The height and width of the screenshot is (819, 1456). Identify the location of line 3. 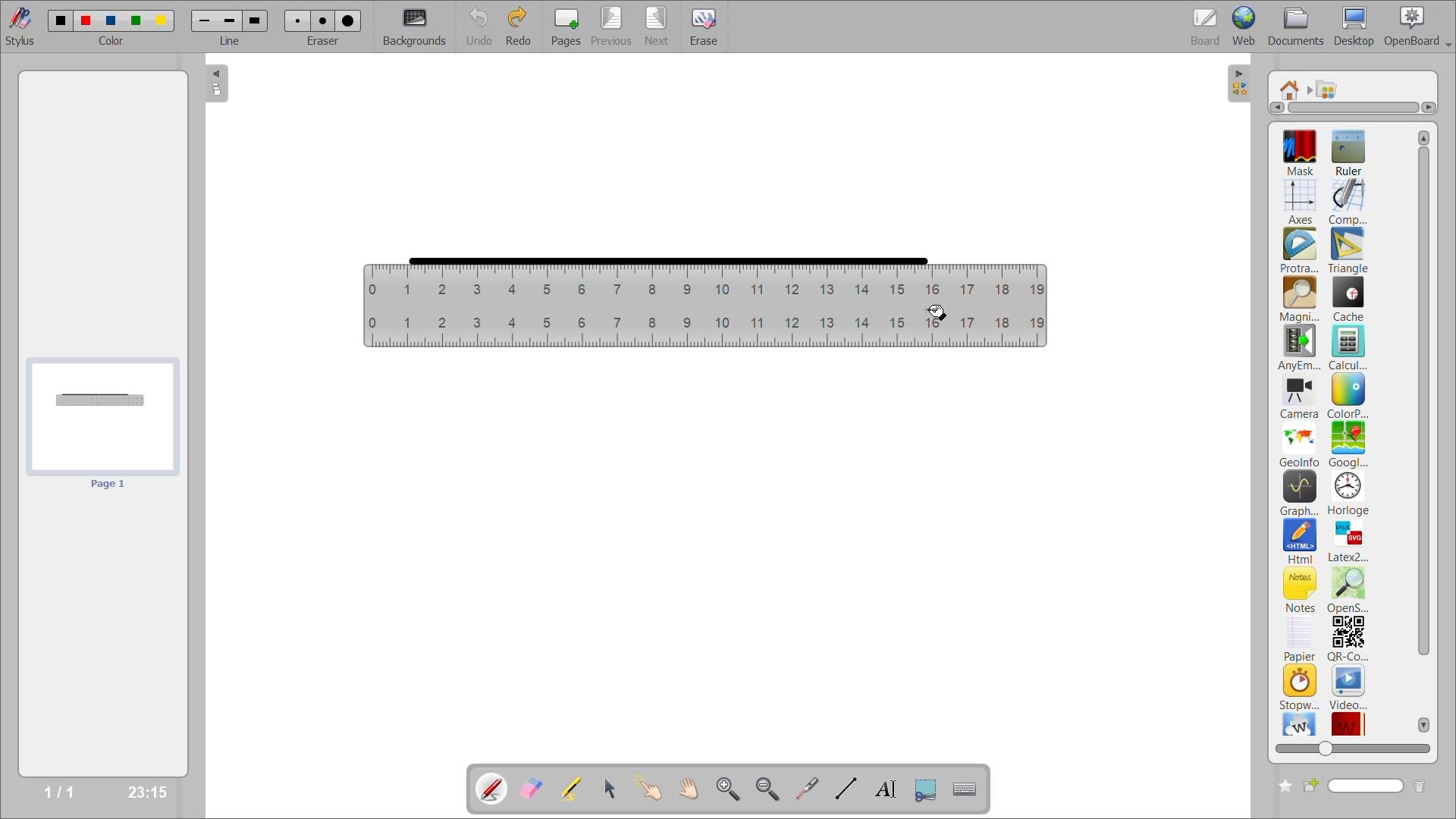
(254, 22).